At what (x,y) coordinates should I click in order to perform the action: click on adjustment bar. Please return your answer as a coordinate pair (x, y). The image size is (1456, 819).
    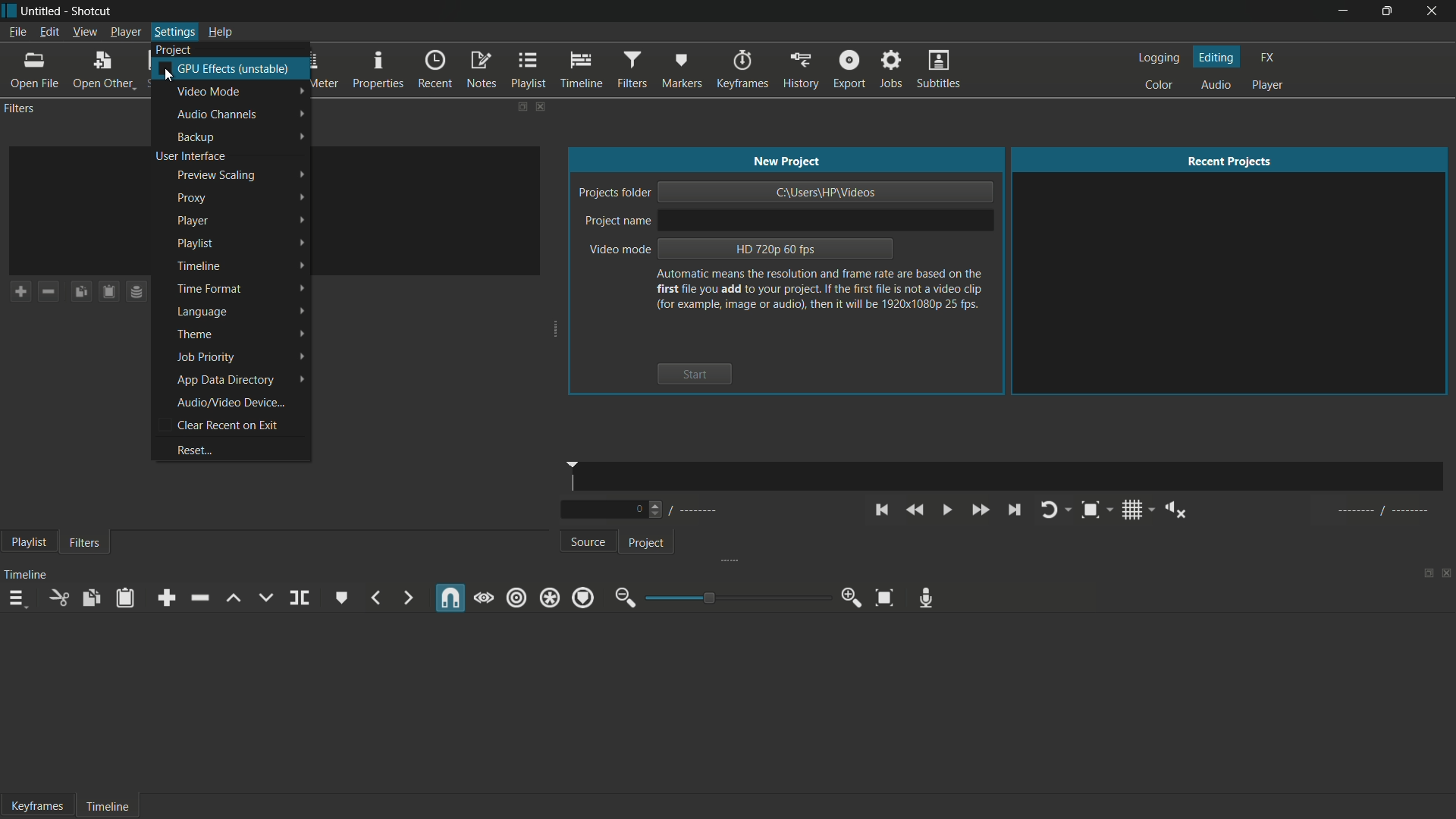
    Looking at the image, I should click on (734, 598).